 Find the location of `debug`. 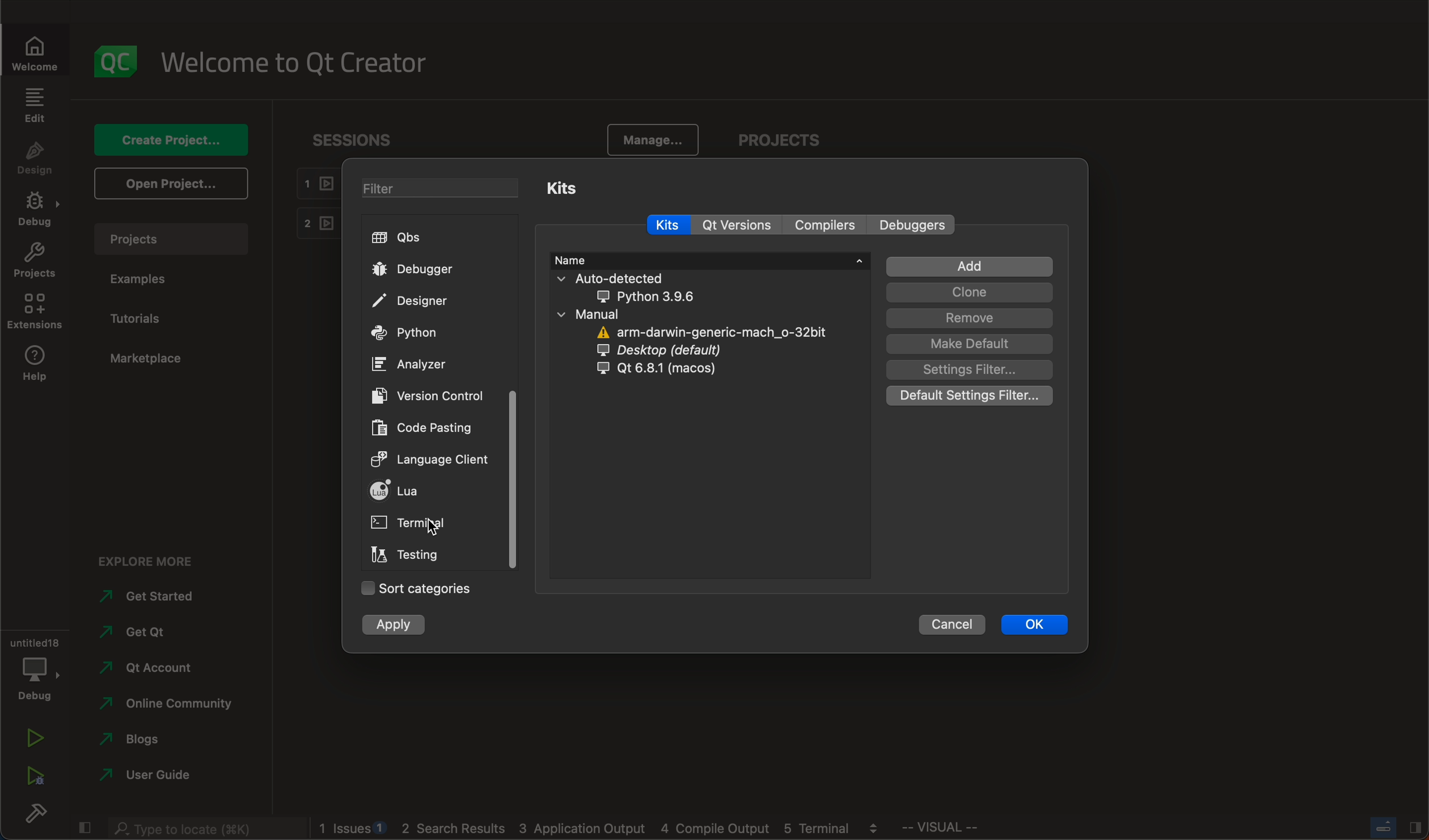

debug is located at coordinates (35, 669).